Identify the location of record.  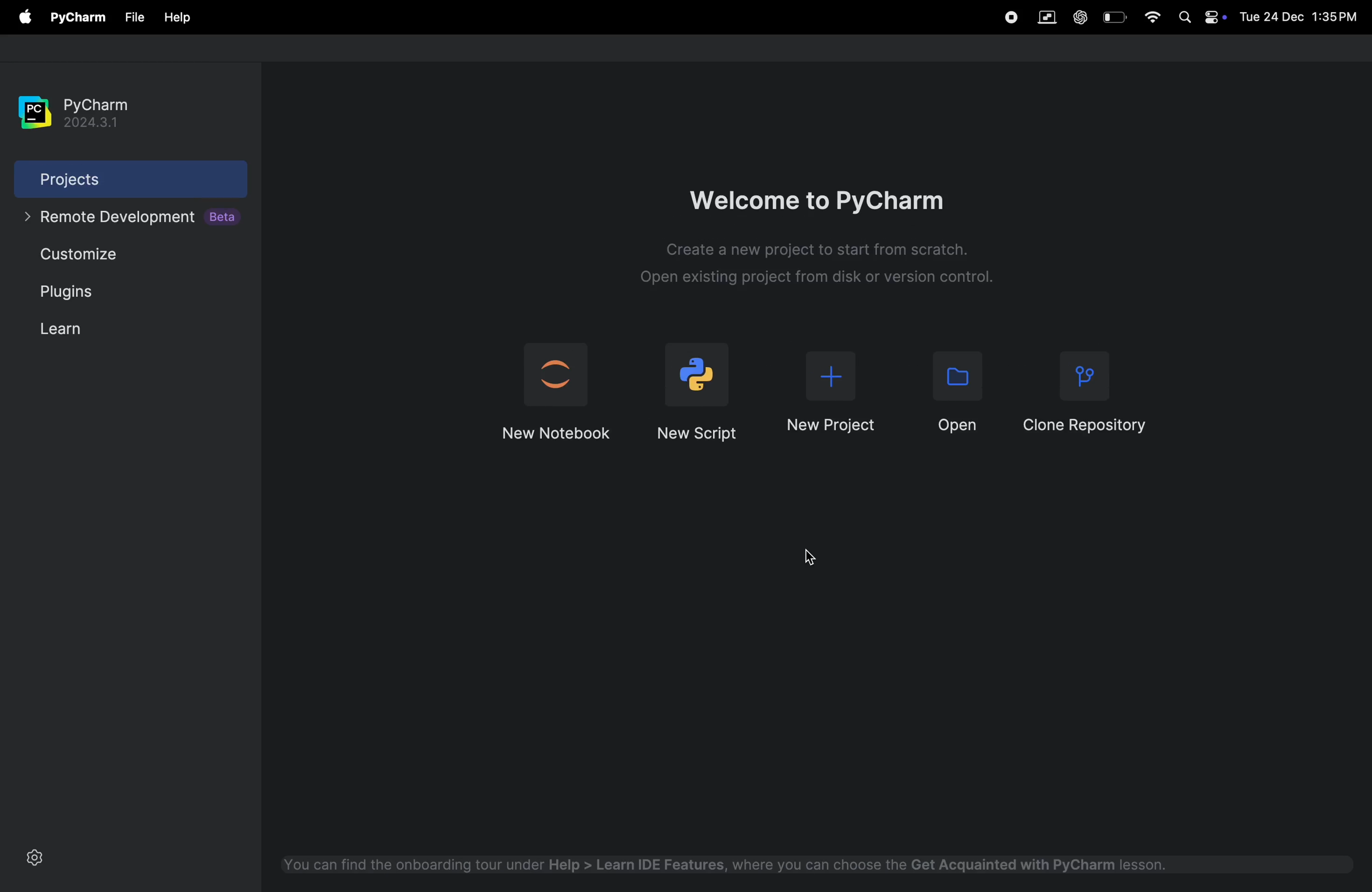
(1011, 17).